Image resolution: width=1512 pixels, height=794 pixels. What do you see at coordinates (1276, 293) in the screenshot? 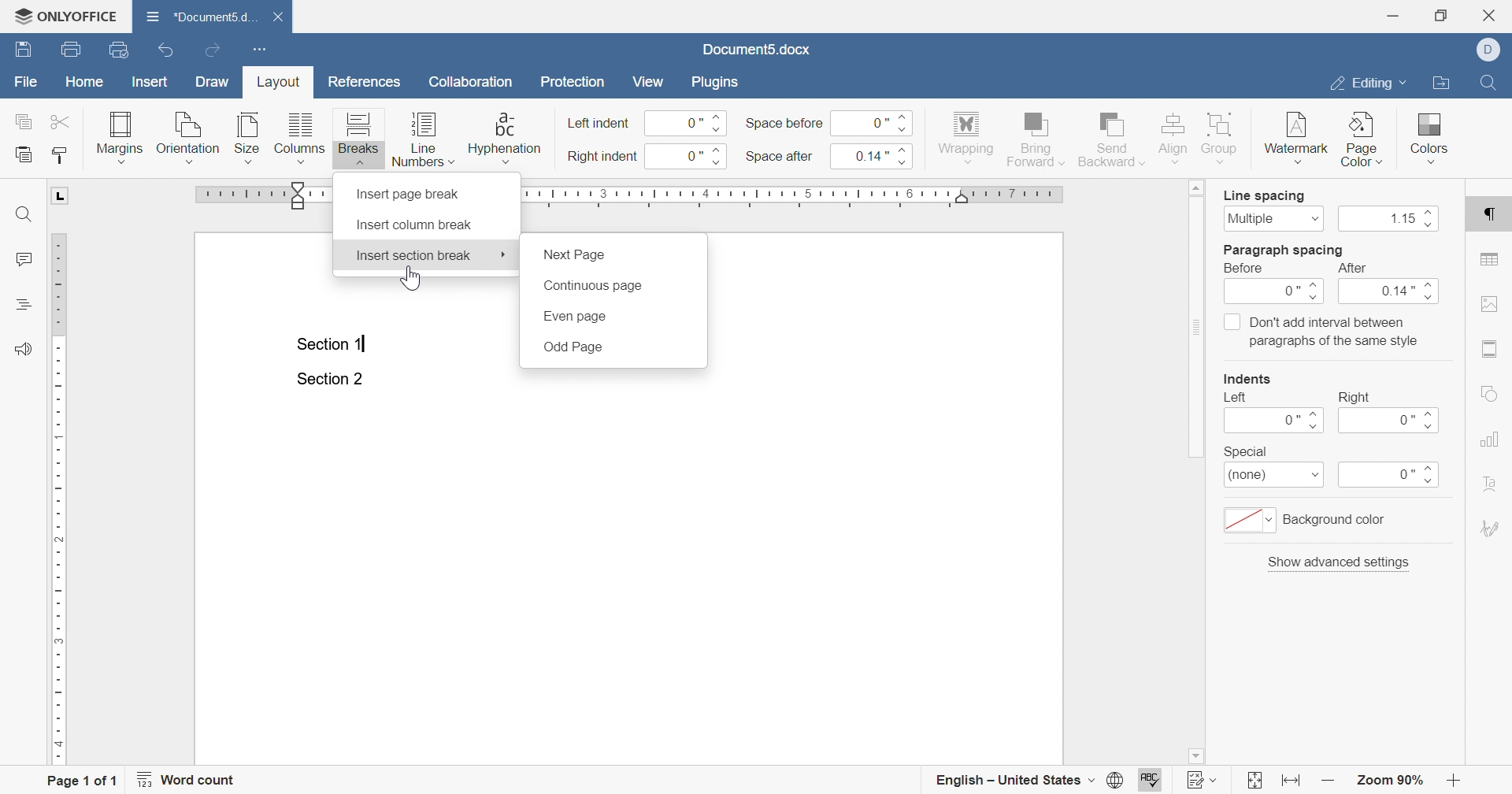
I see `0` at bounding box center [1276, 293].